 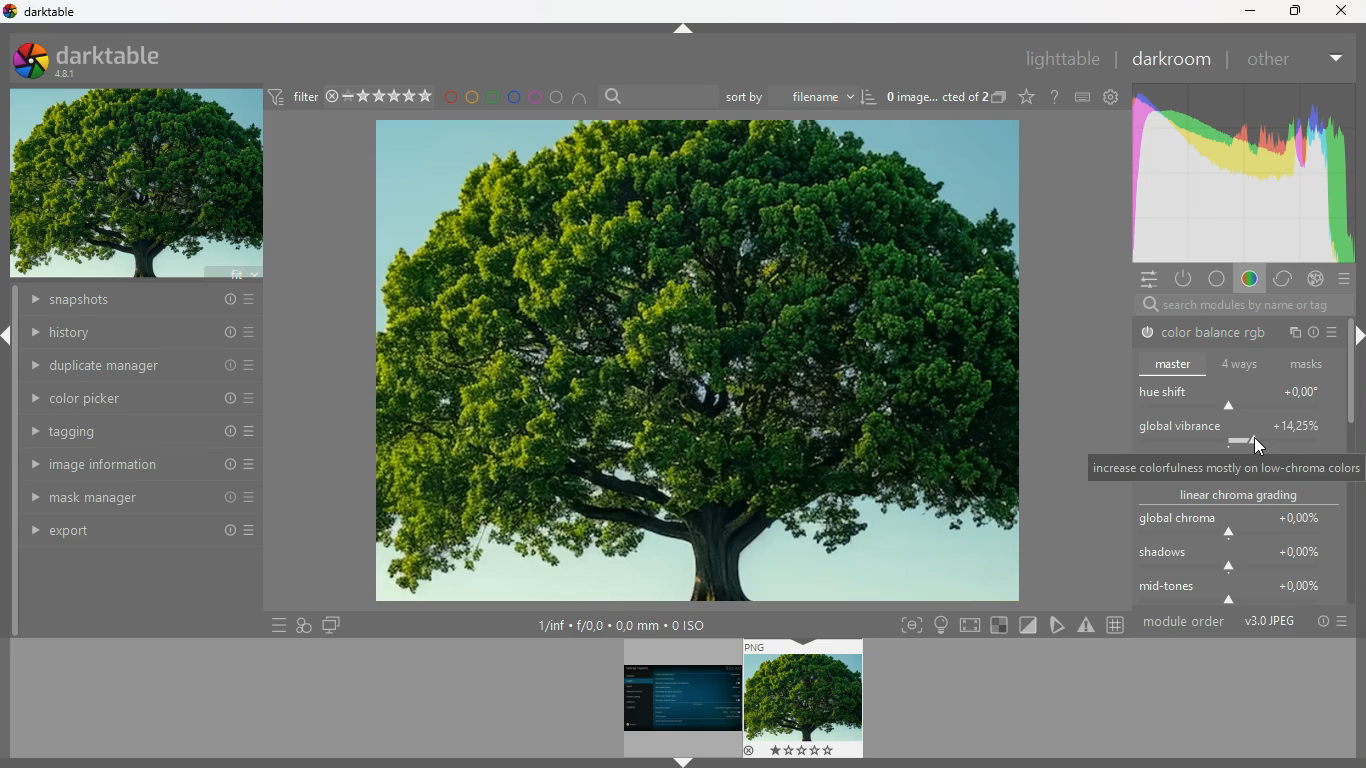 What do you see at coordinates (972, 624) in the screenshot?
I see `screen` at bounding box center [972, 624].